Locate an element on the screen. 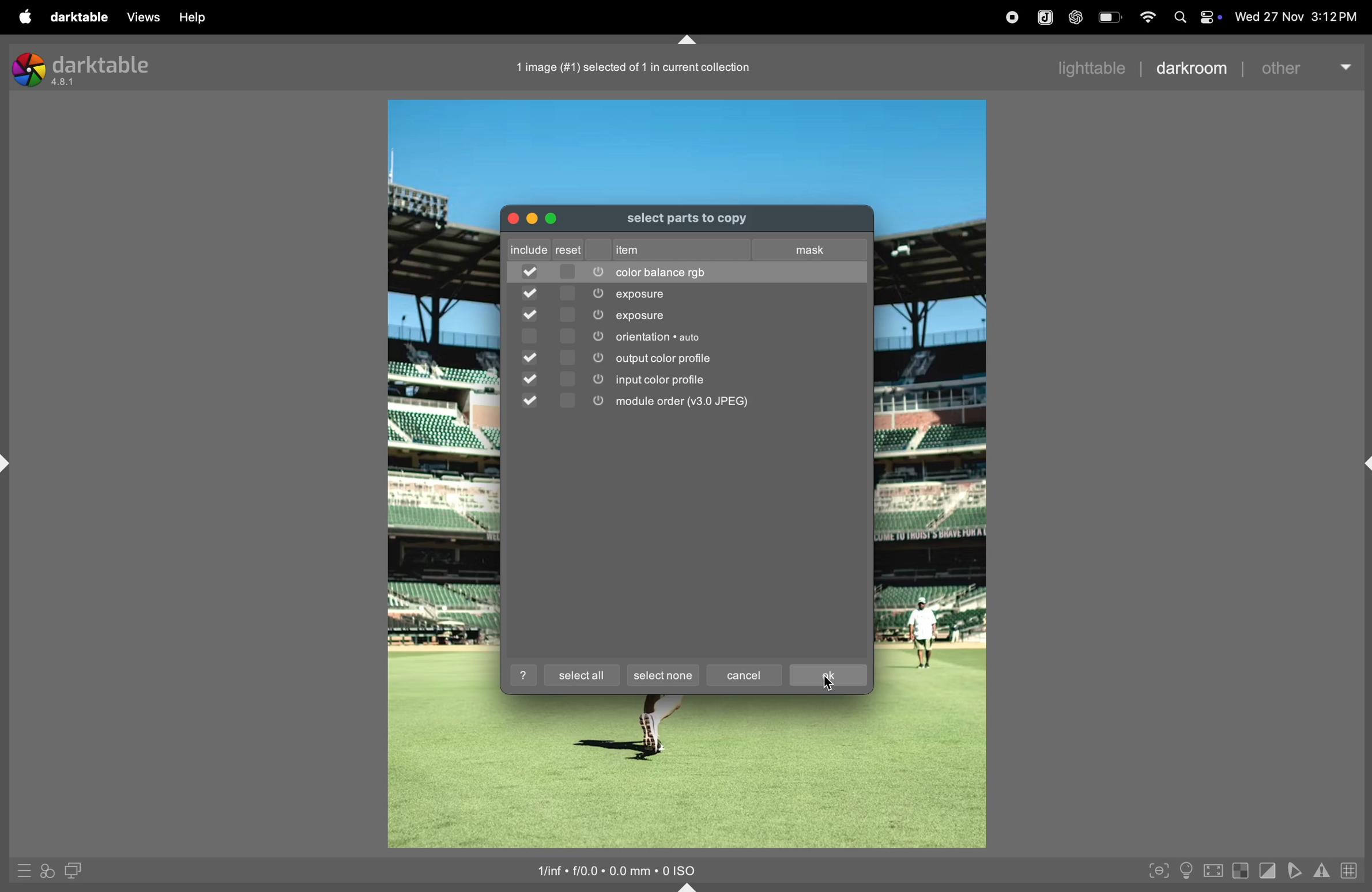 The height and width of the screenshot is (892, 1372). check box is located at coordinates (530, 273).